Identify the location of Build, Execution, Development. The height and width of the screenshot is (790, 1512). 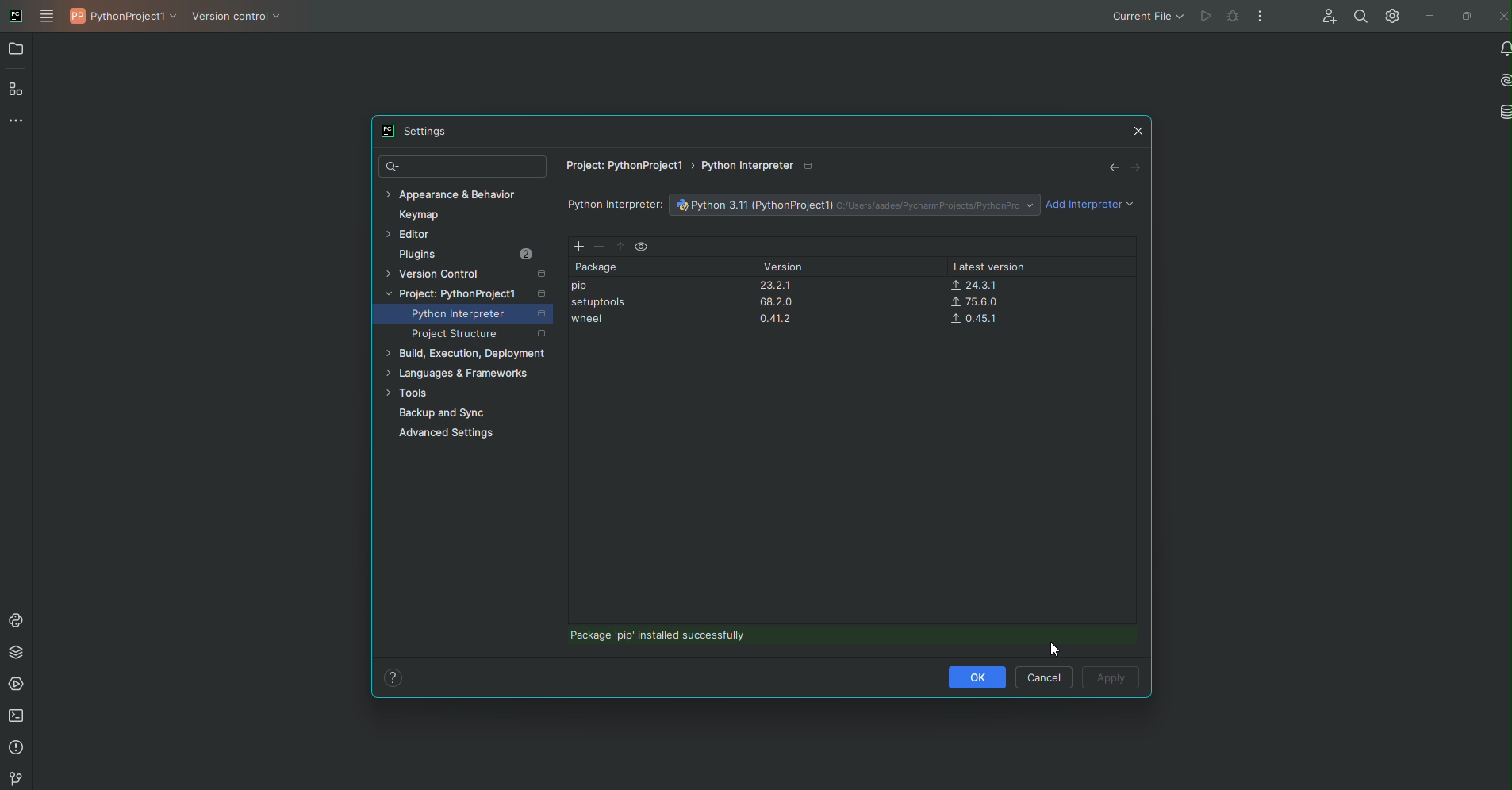
(468, 354).